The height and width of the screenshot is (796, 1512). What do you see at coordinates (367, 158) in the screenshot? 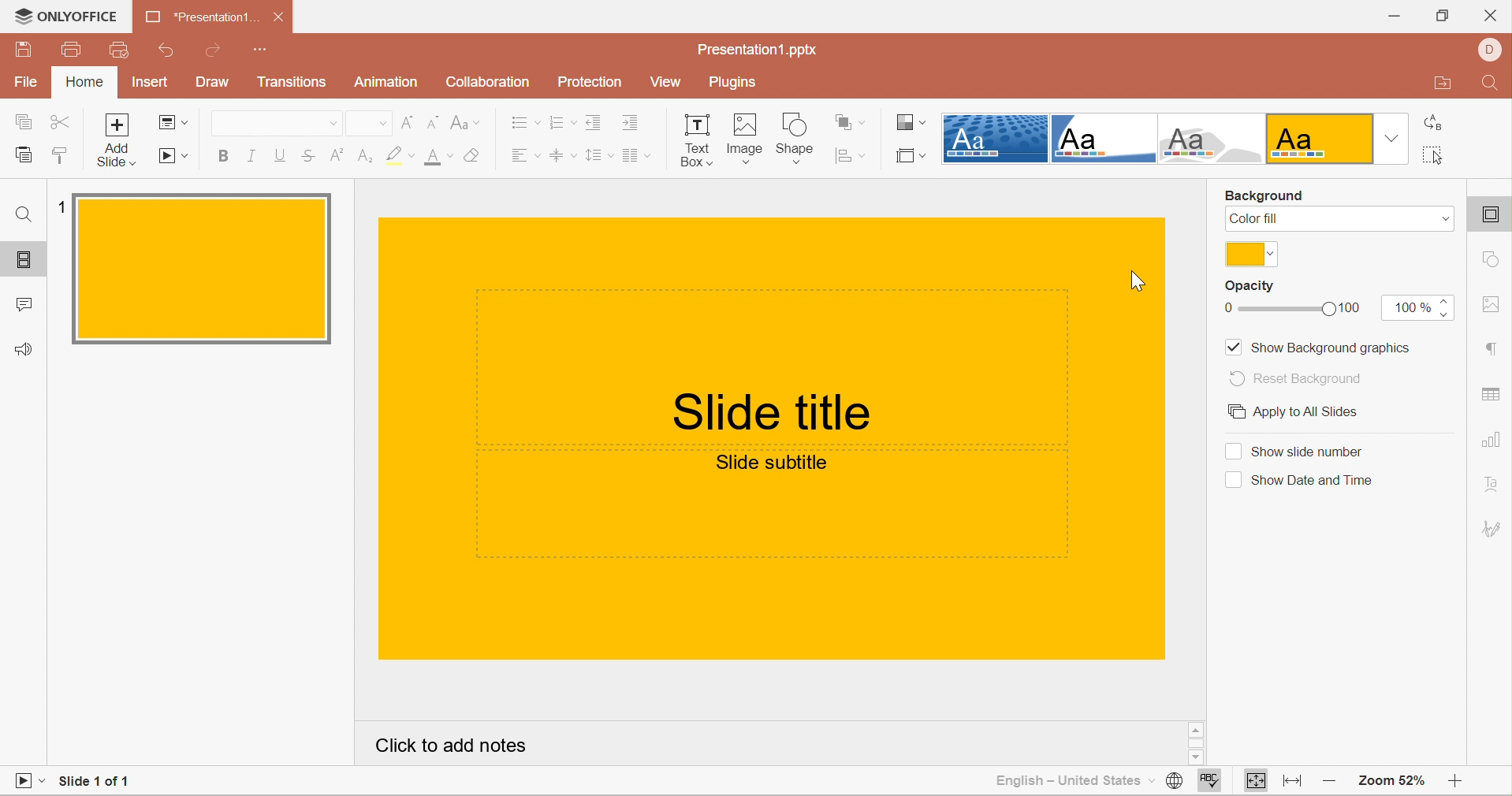
I see `Subscript` at bounding box center [367, 158].